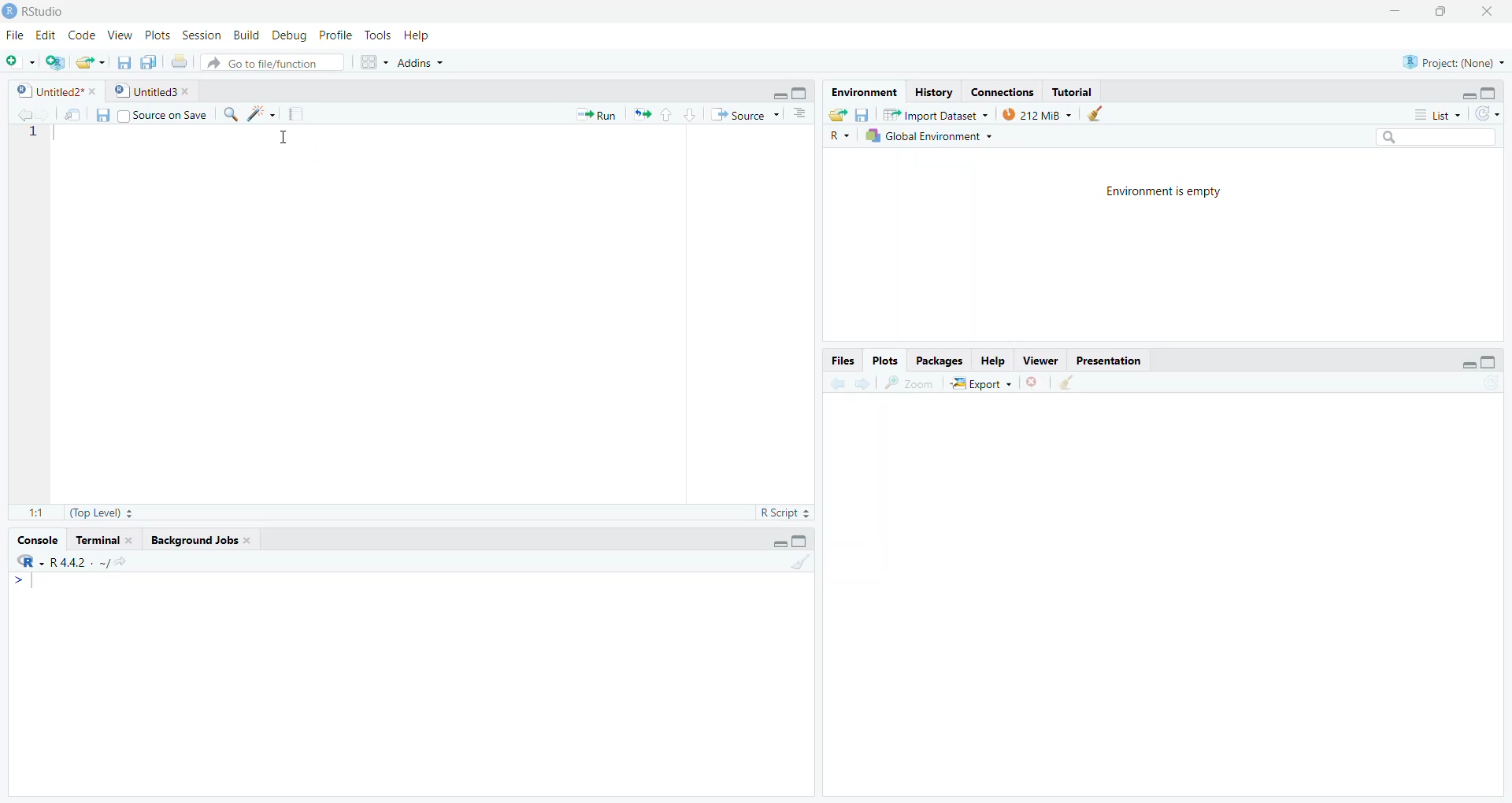 The image size is (1512, 803). I want to click on minimize, so click(772, 96).